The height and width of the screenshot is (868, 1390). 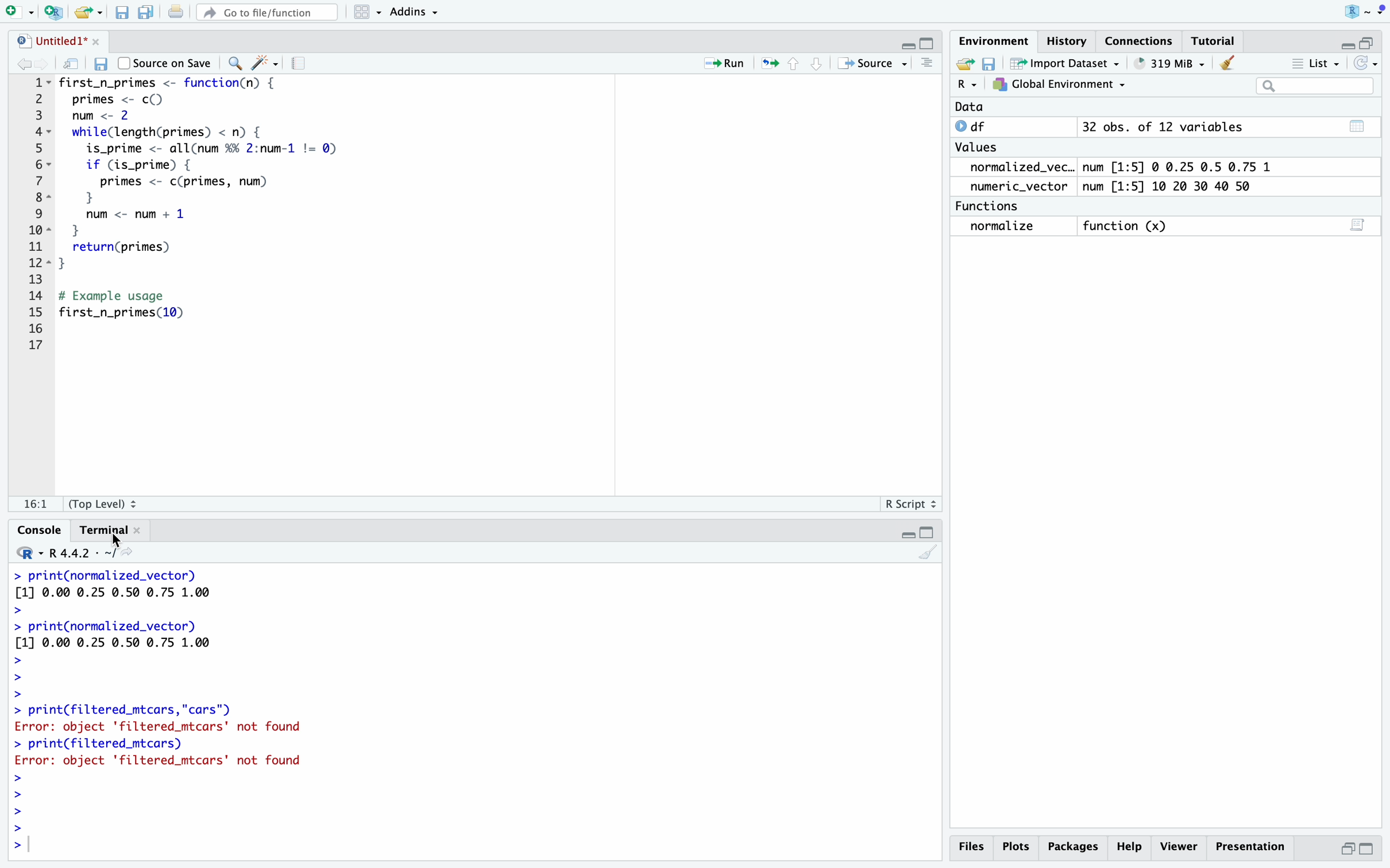 I want to click on History, so click(x=1067, y=37).